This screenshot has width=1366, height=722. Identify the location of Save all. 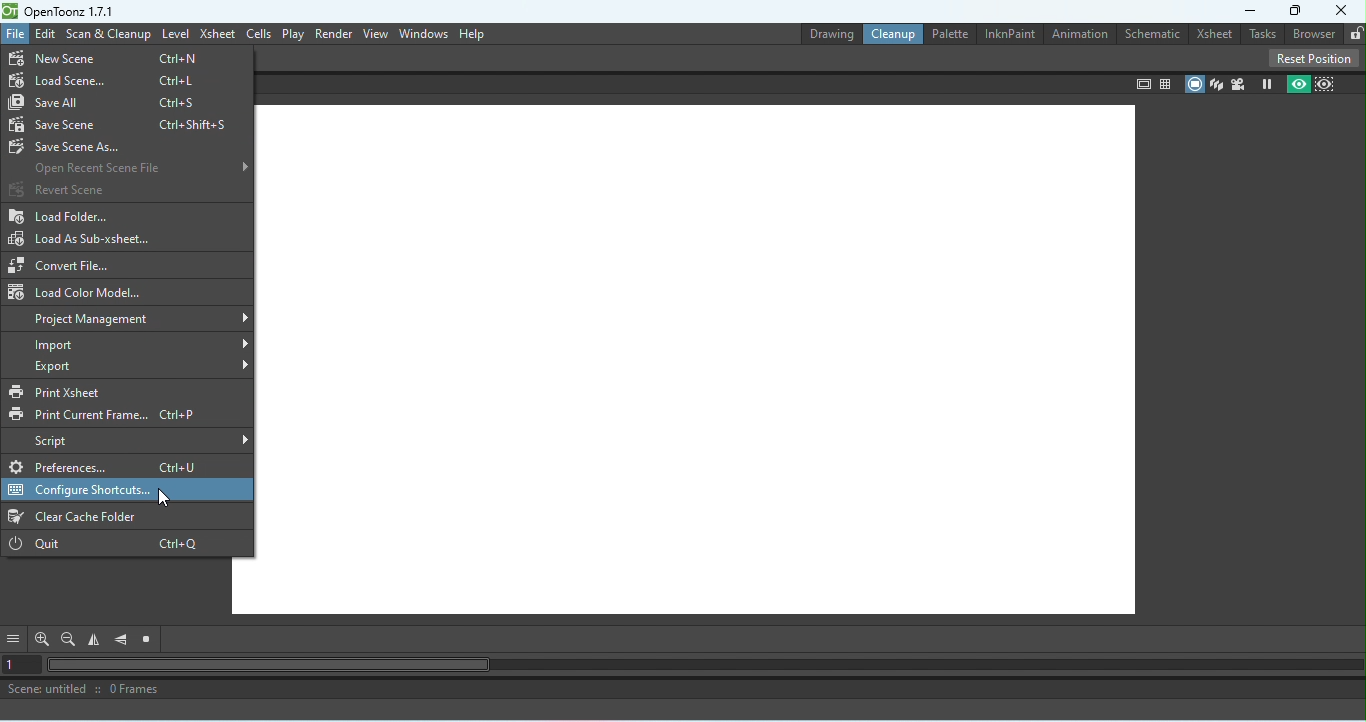
(103, 100).